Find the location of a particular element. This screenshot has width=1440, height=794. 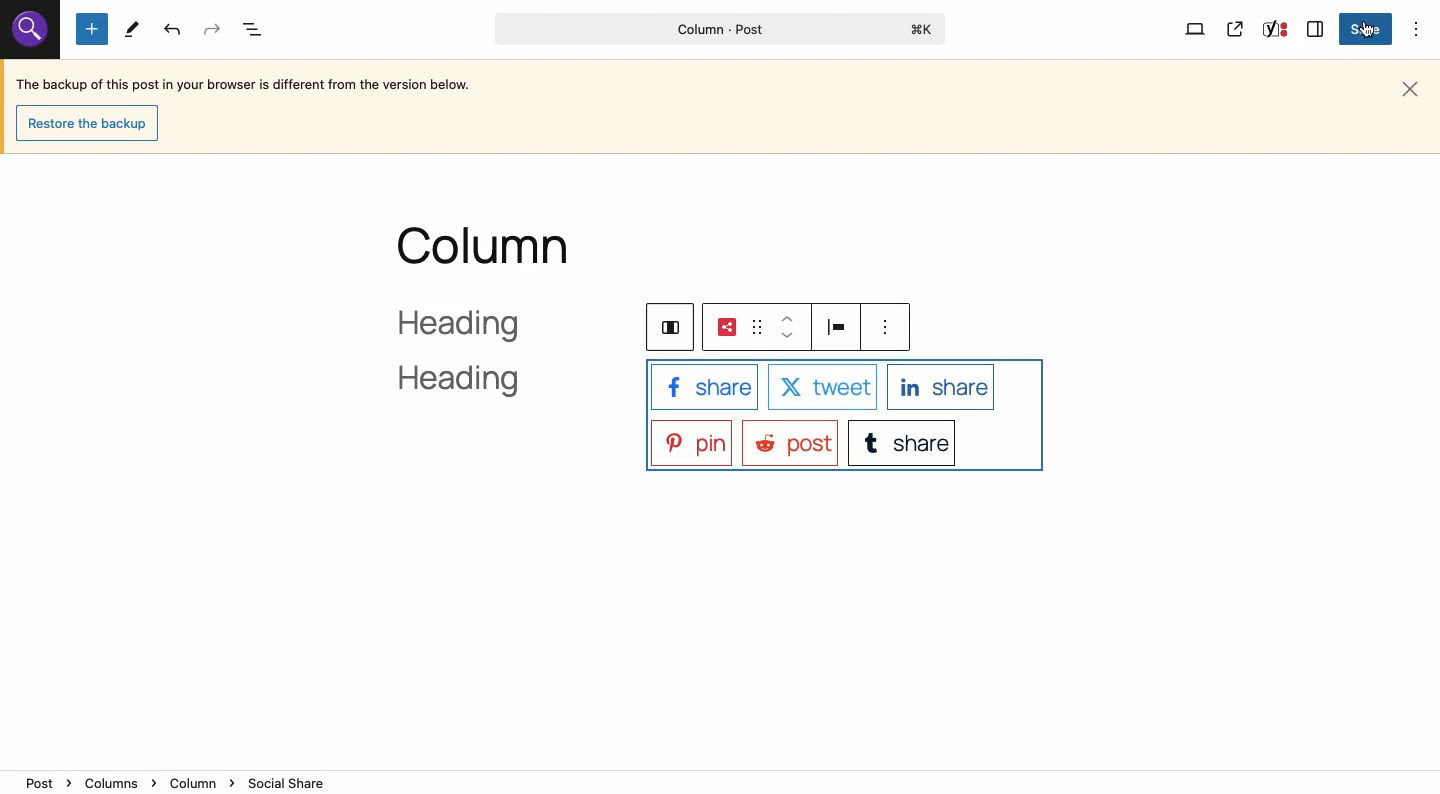

Sidebar is located at coordinates (1316, 27).